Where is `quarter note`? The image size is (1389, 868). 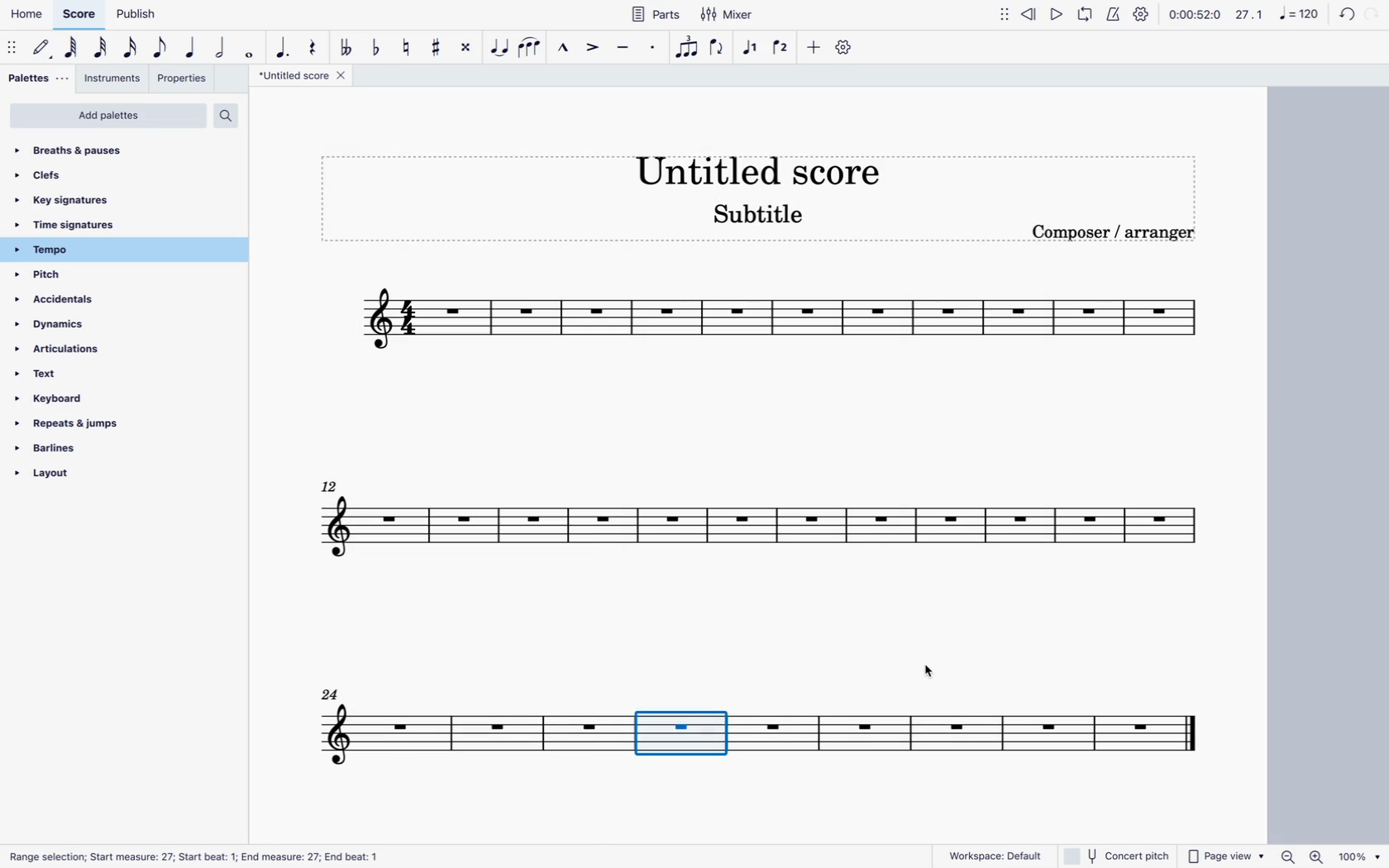
quarter note is located at coordinates (192, 46).